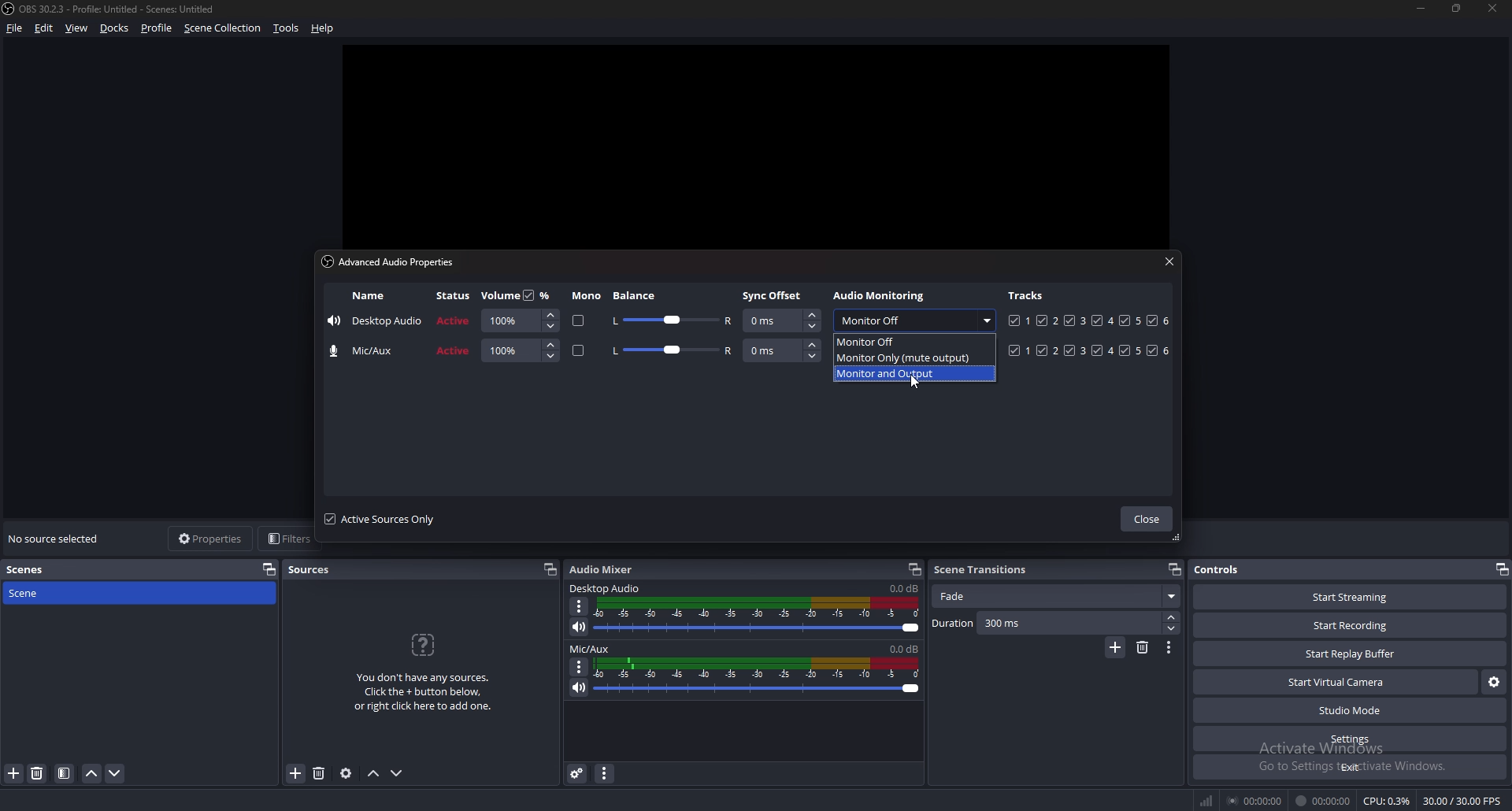 This screenshot has width=1512, height=811. Describe the element at coordinates (1388, 802) in the screenshot. I see `CPU: 0.3%` at that location.